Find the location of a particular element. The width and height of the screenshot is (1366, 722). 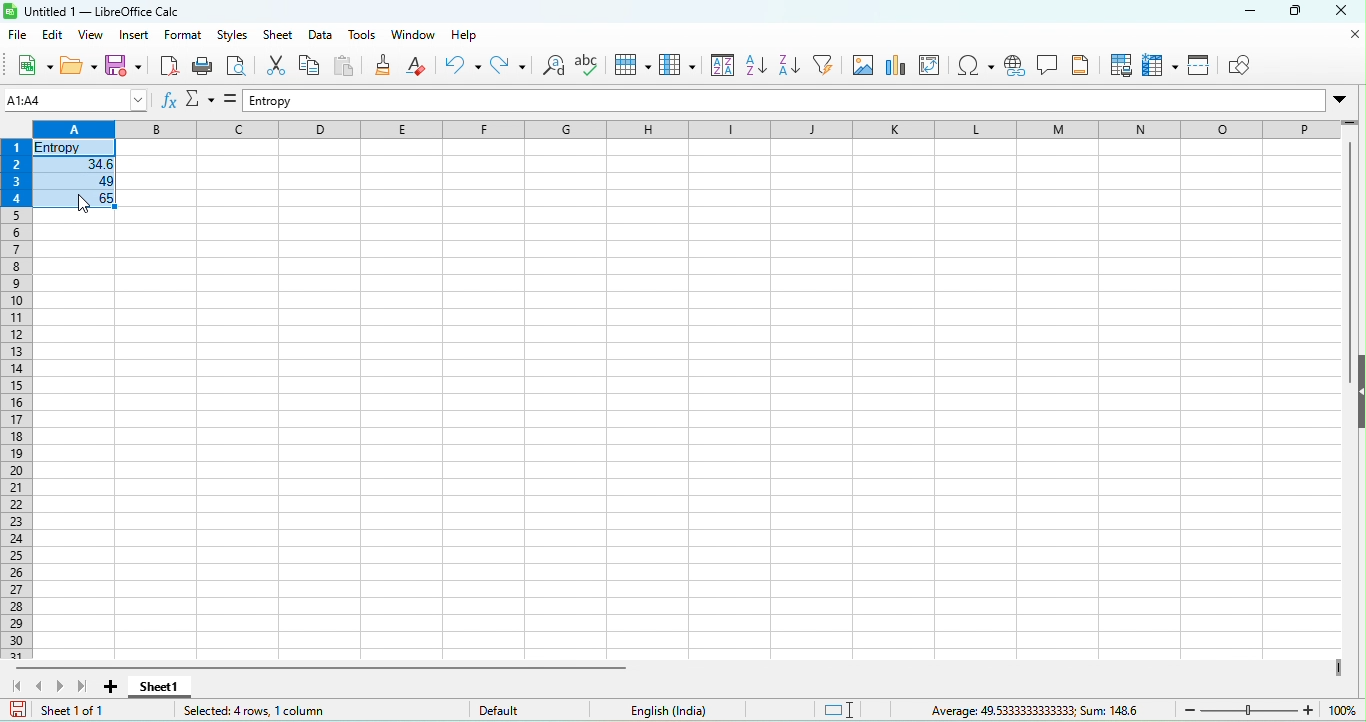

drag to view more rows is located at coordinates (1347, 122).